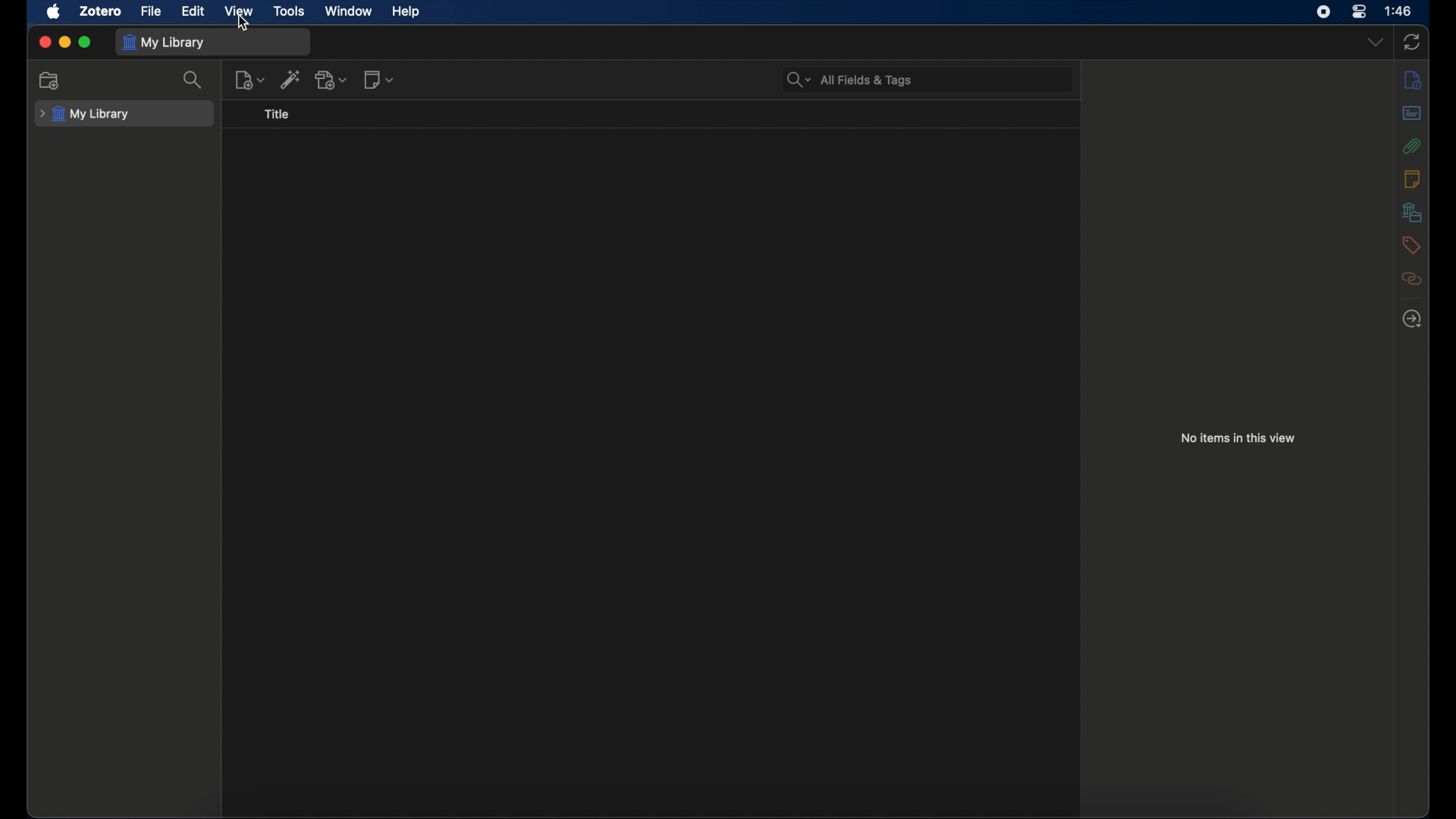 This screenshot has width=1456, height=819. What do you see at coordinates (349, 11) in the screenshot?
I see `window` at bounding box center [349, 11].